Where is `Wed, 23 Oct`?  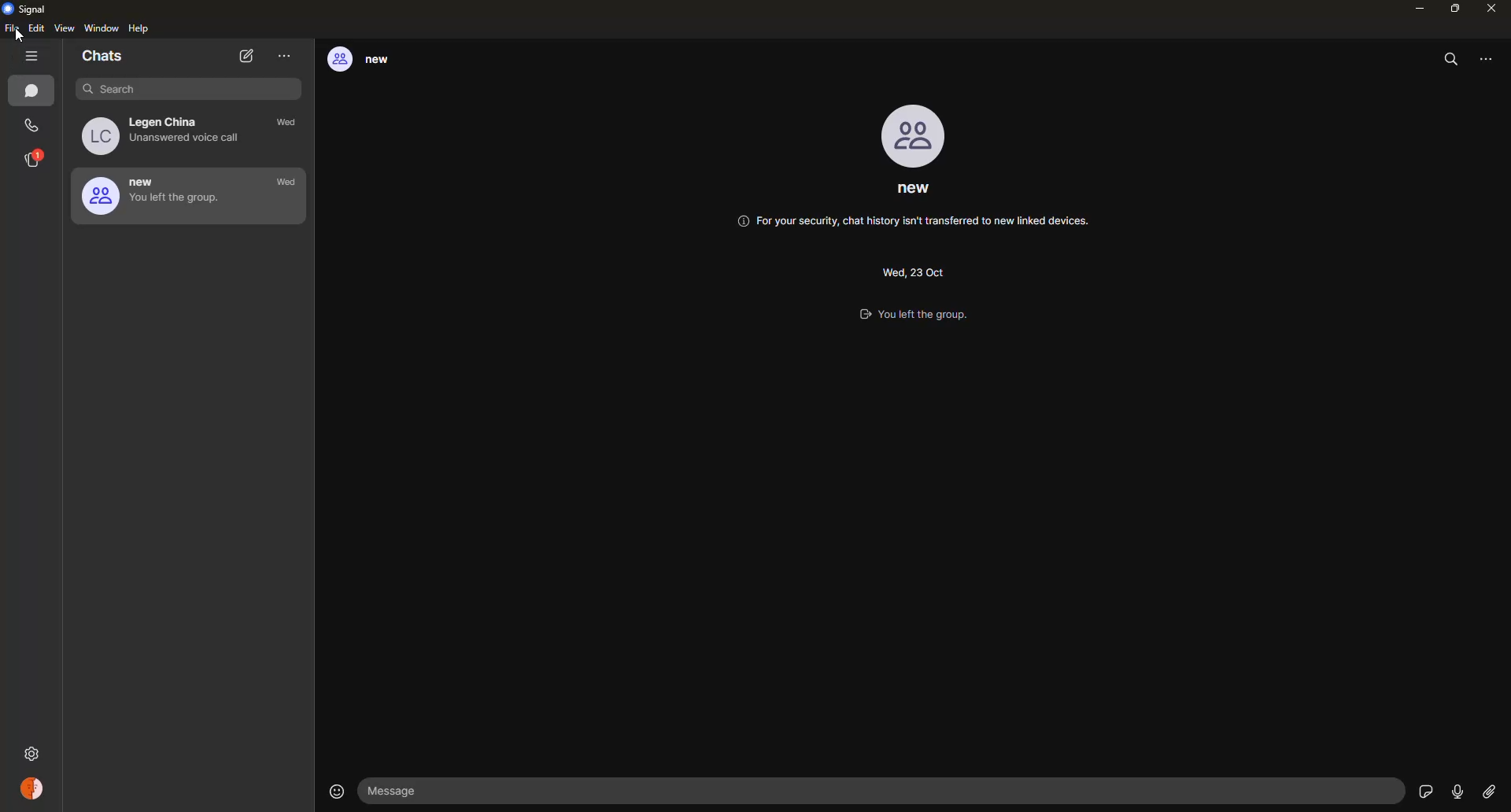
Wed, 23 Oct is located at coordinates (911, 270).